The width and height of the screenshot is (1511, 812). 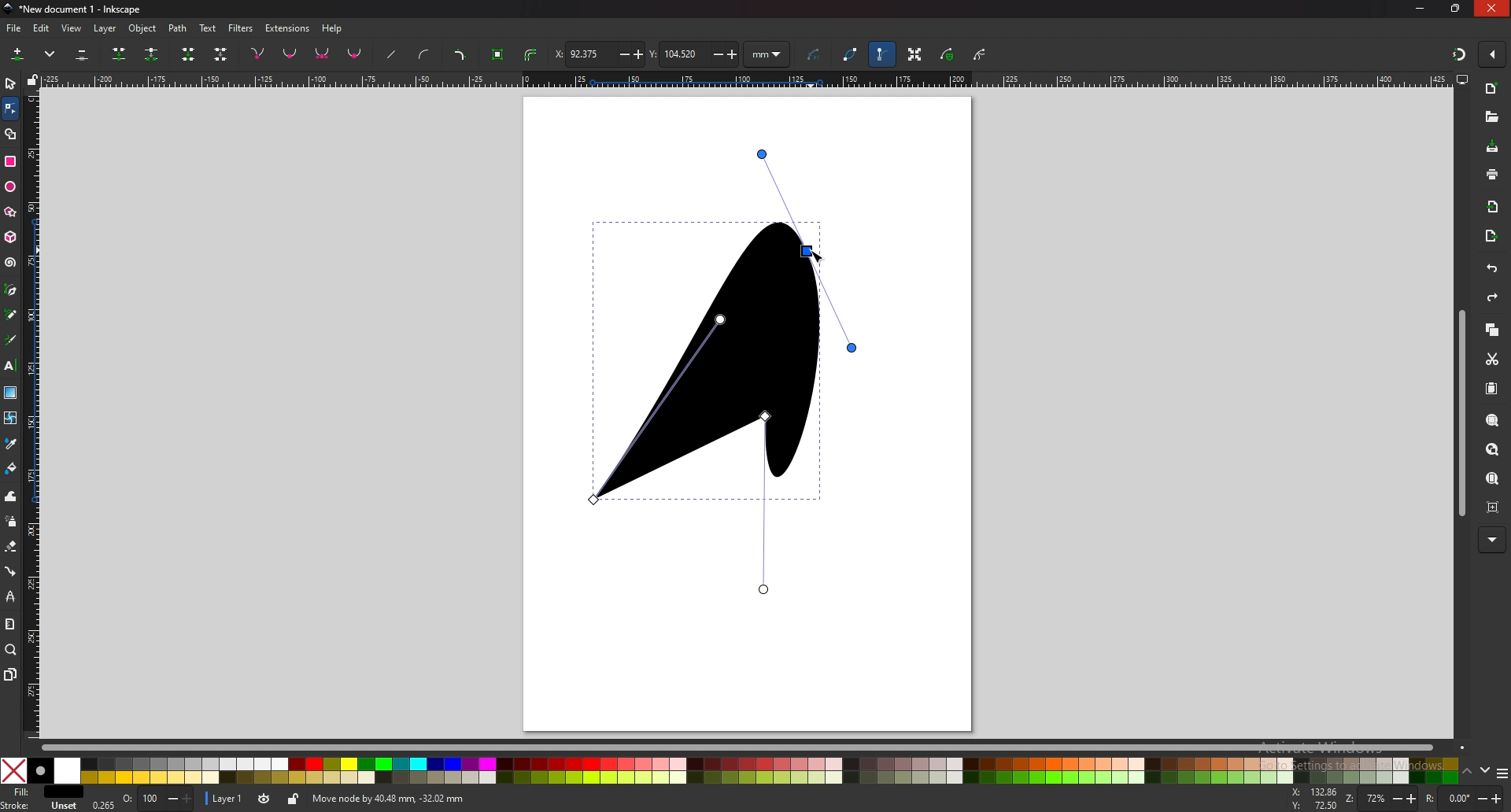 I want to click on next path effect parameter, so click(x=815, y=55).